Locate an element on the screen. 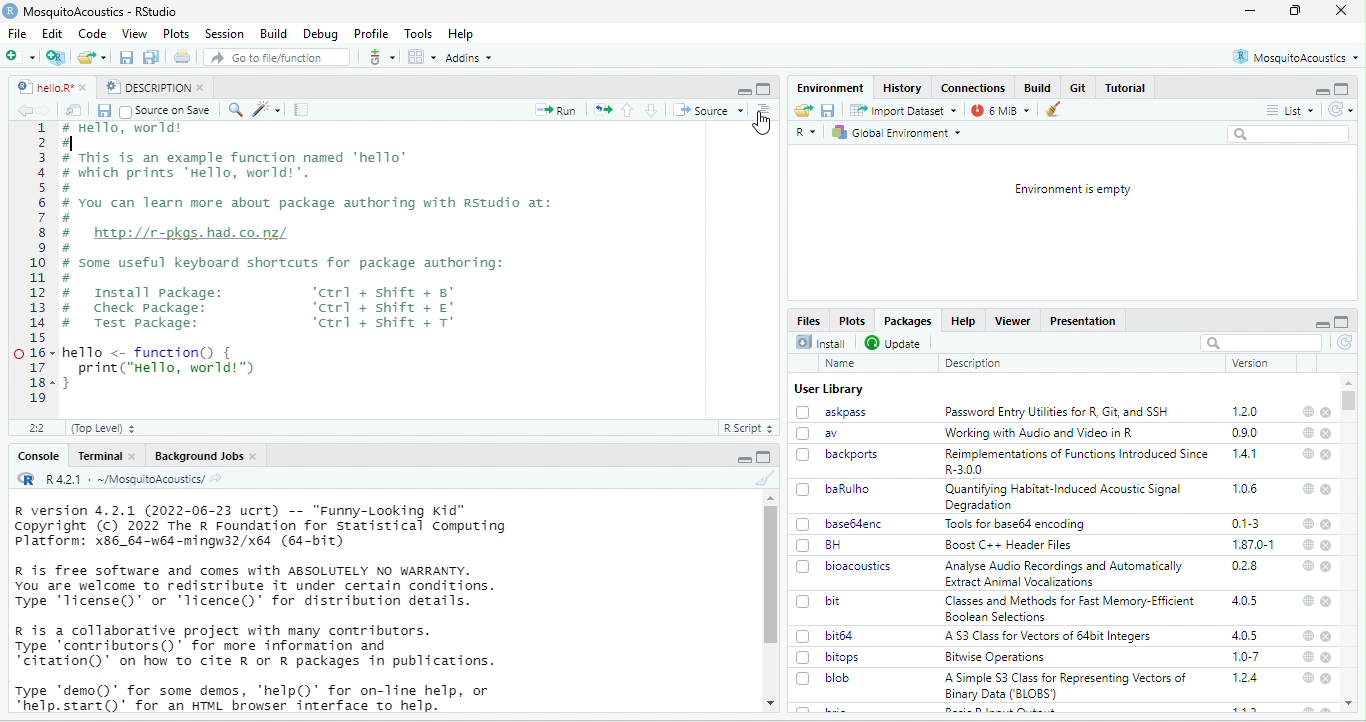  Load workspace is located at coordinates (803, 110).